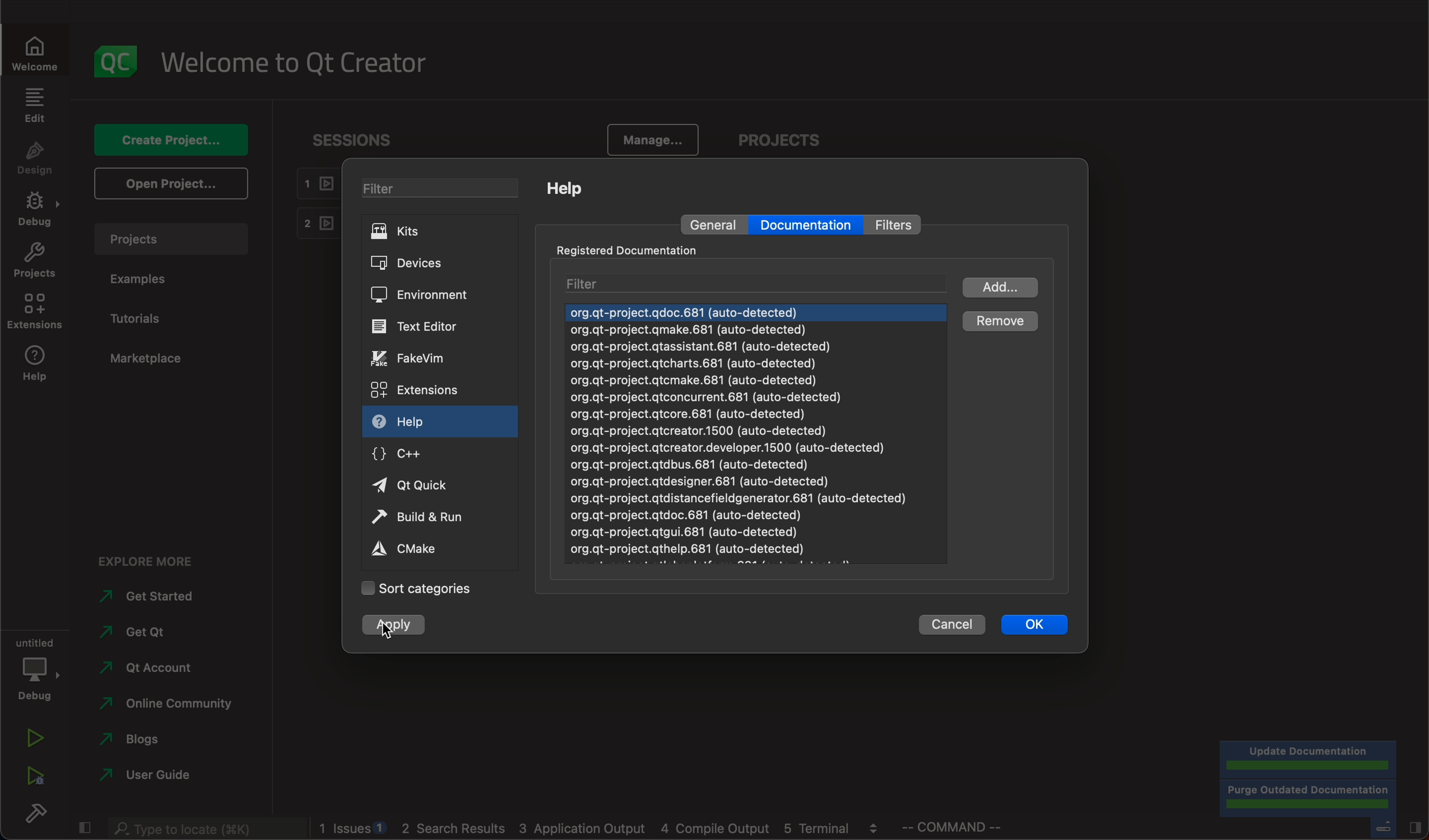 The width and height of the screenshot is (1429, 840). I want to click on org.gt-project.qdoc.681 (auto-detected)
org.gt-project.gmake.681 (auto-detected)
org.qt-project.qtassistant.681 (auto-detected)
org.qt-project.qtcharts.681 (auto-detected)
org.gt-project.gtcmake.681 (auto-detected)
org.gt-project.gtconcurrent.681 (auto-detected)
org.qt-project.qtcore.681 (auto-detected)
org.gt-project.qtcreator.1500 (auto-detected)
org.qt-project.qtcreator.developer.1500 (auto-detected)
org.qt-project.qtdbus.681 (auto-detected)
org.qt-project.qtdesigner.681 (auto-detected)
org.gt-project.qtdistancefieldgenerator.681 (auto-detected)
org.qt-project.qtdoc.681 (auto-detected)
org.gt-project.qtgui.681 (auto-detected), so click(737, 448).